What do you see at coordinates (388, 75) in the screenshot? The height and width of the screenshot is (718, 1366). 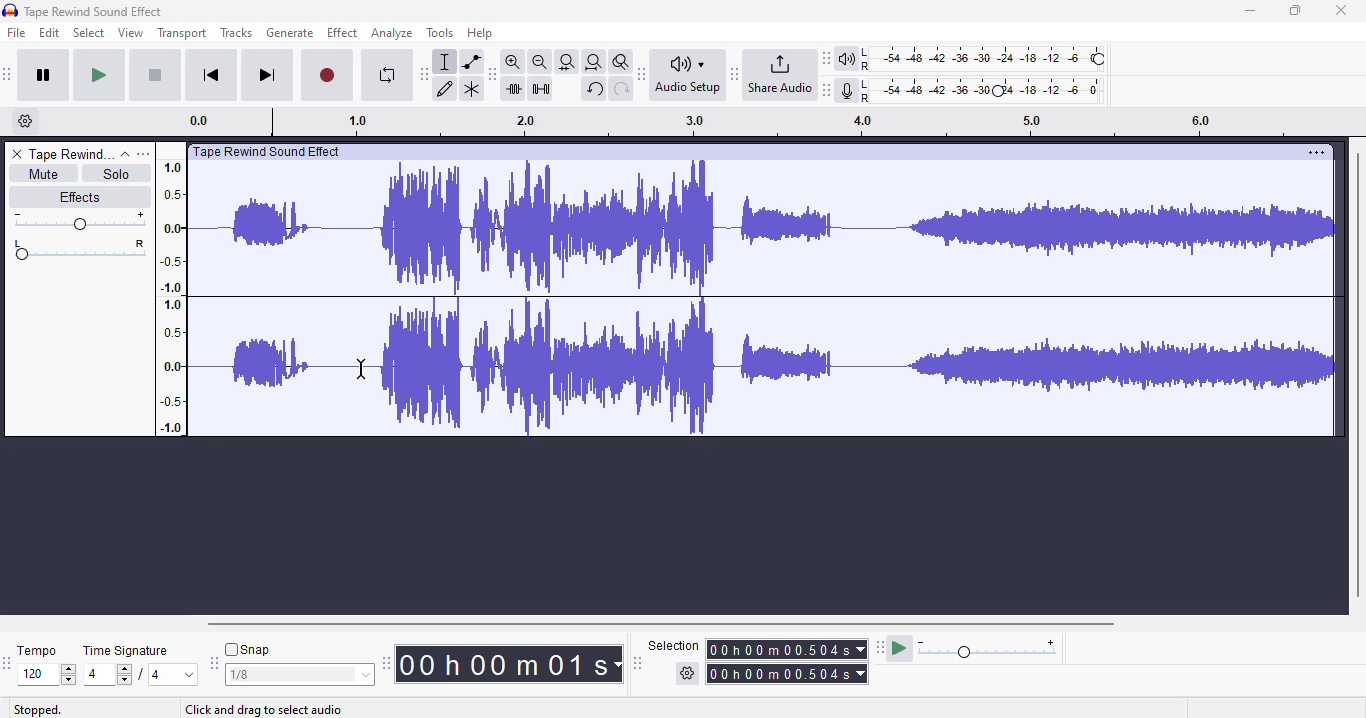 I see `enable looping` at bounding box center [388, 75].